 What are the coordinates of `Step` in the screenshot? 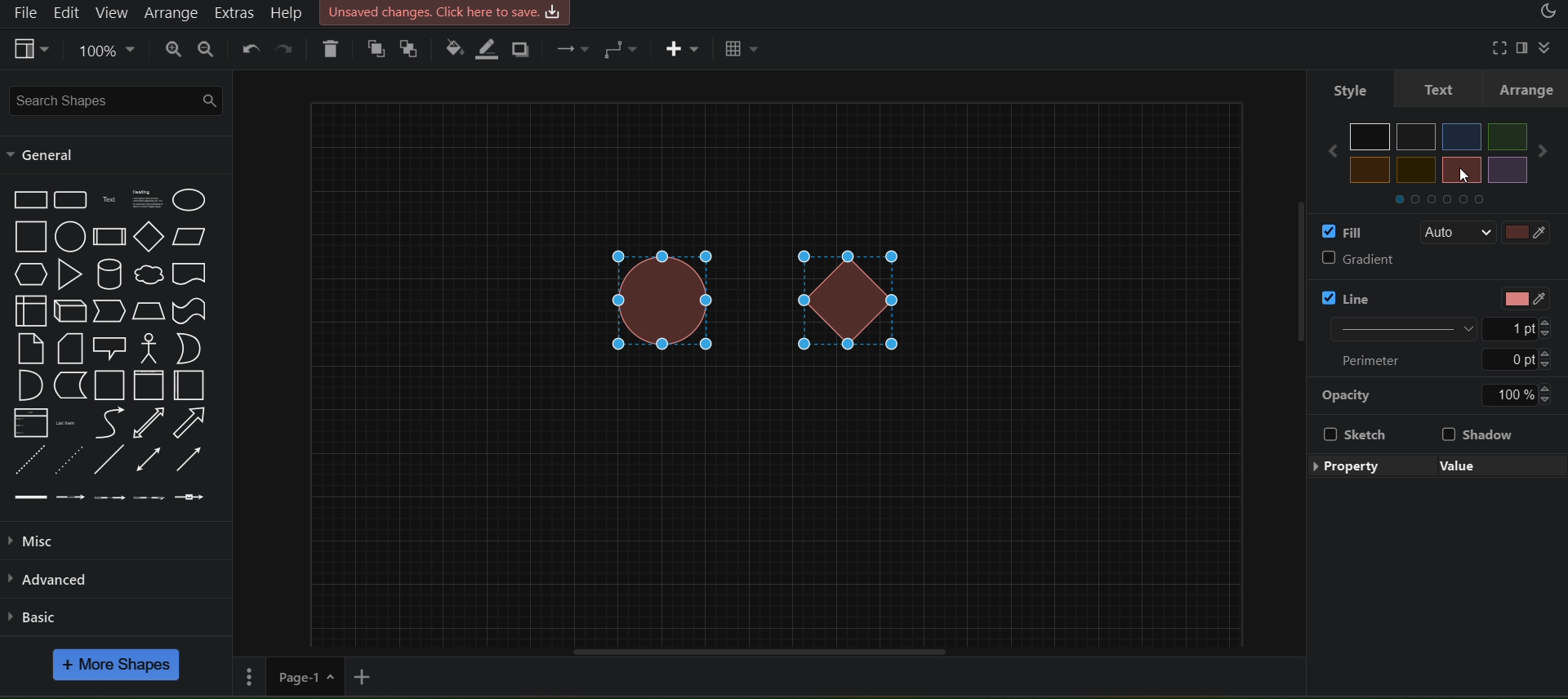 It's located at (109, 309).